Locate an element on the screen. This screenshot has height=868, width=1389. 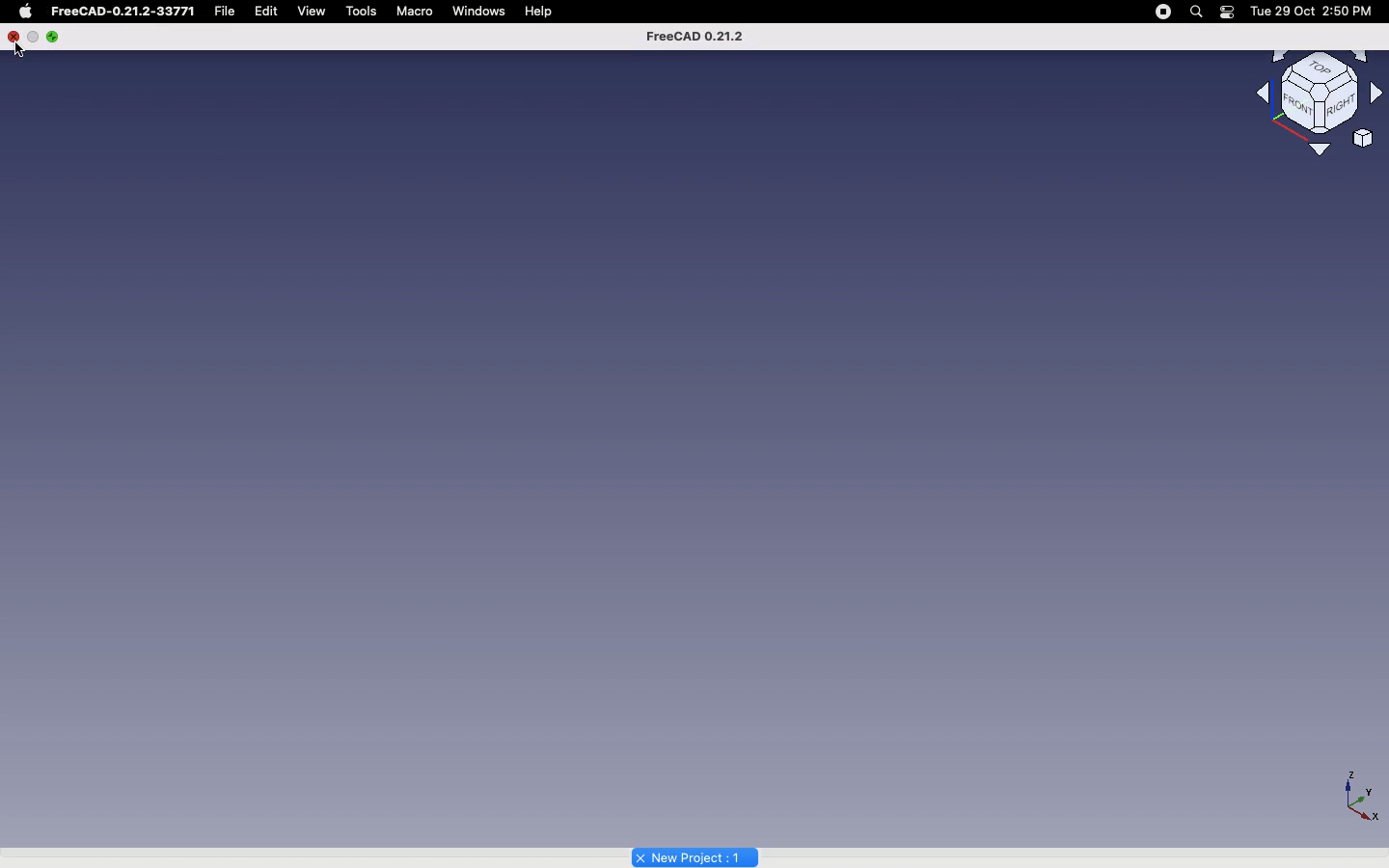
Project name is located at coordinates (695, 855).